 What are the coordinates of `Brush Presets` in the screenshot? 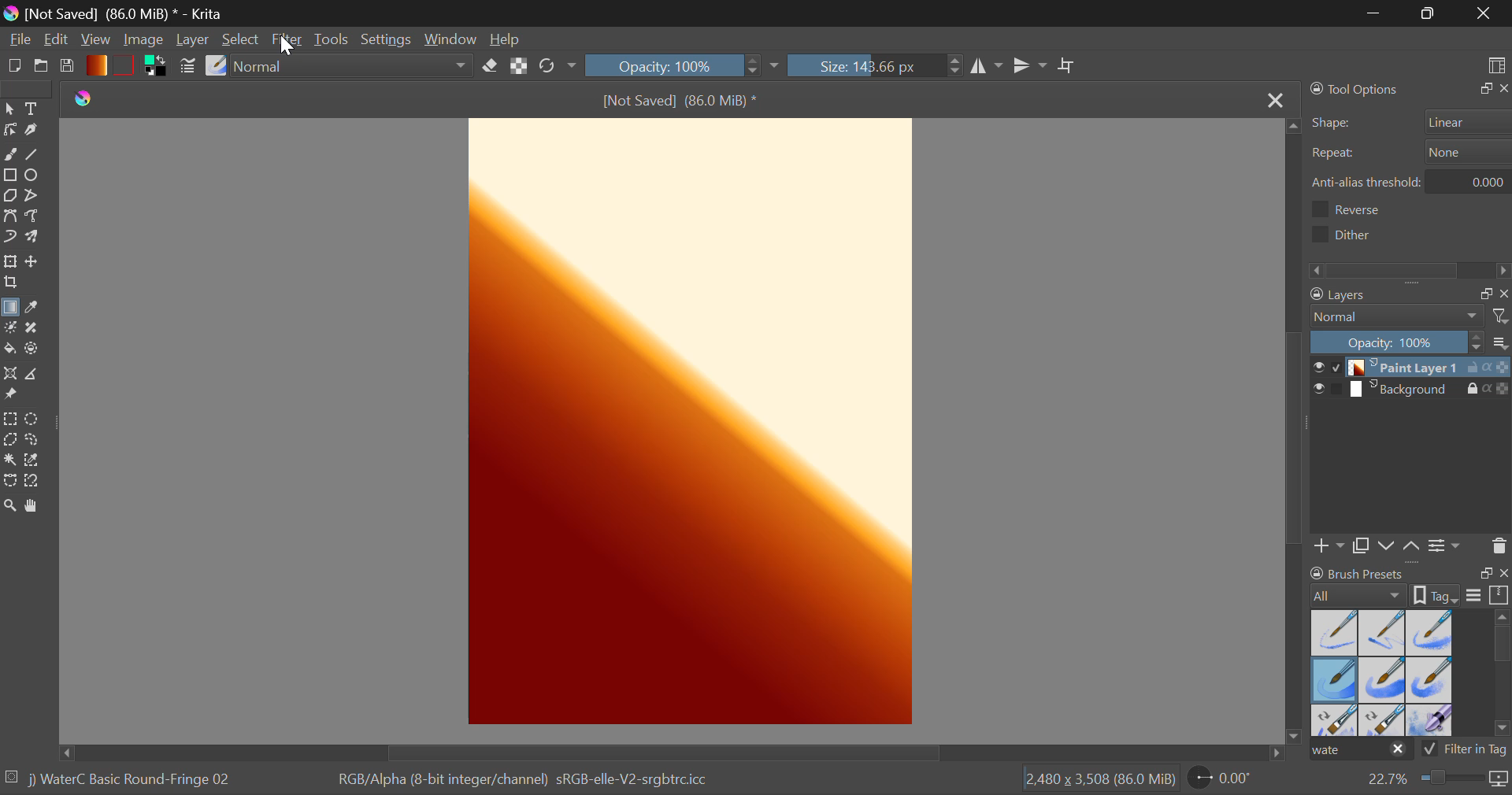 It's located at (216, 67).